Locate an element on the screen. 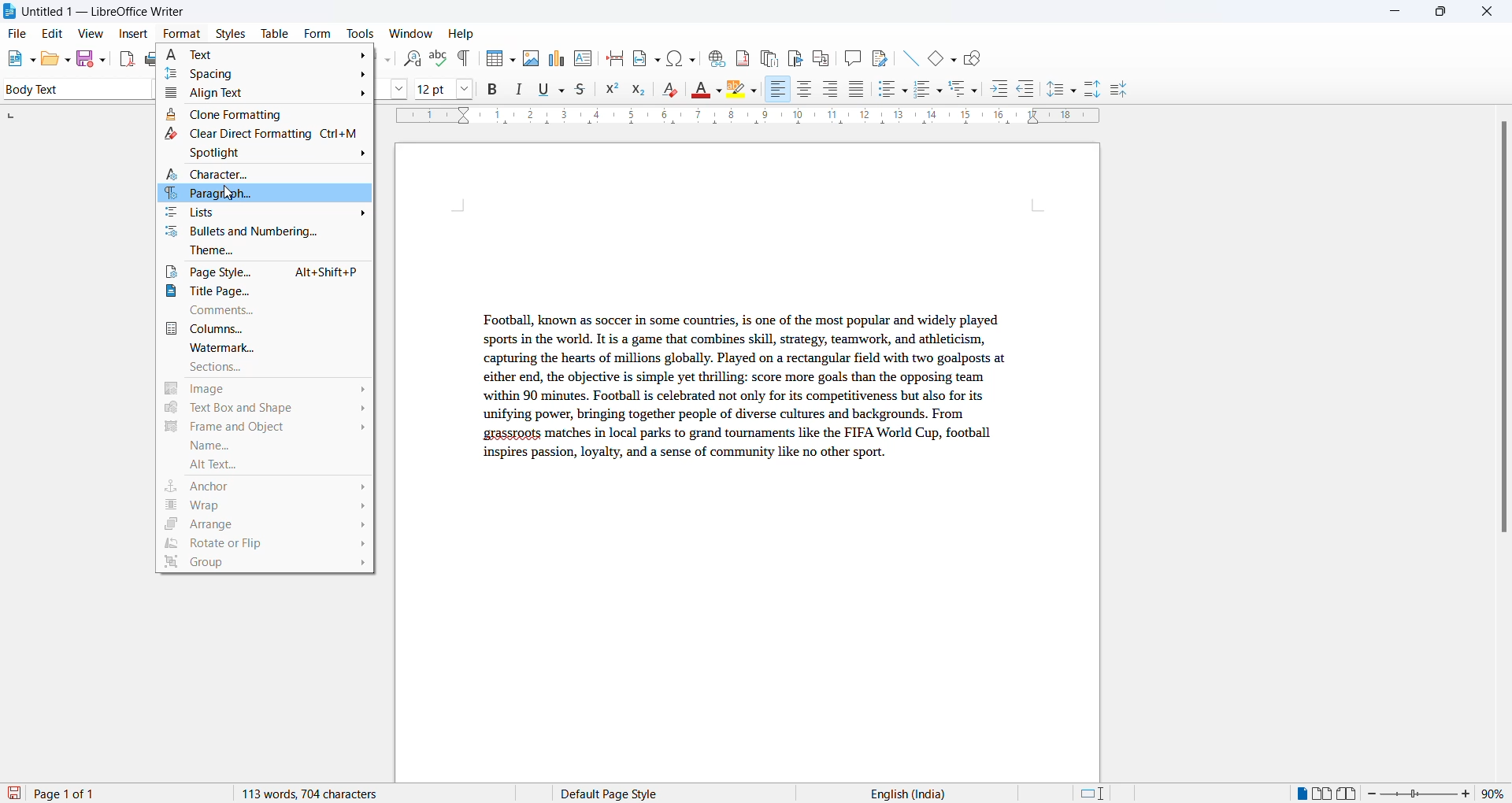  cursor is located at coordinates (226, 194).